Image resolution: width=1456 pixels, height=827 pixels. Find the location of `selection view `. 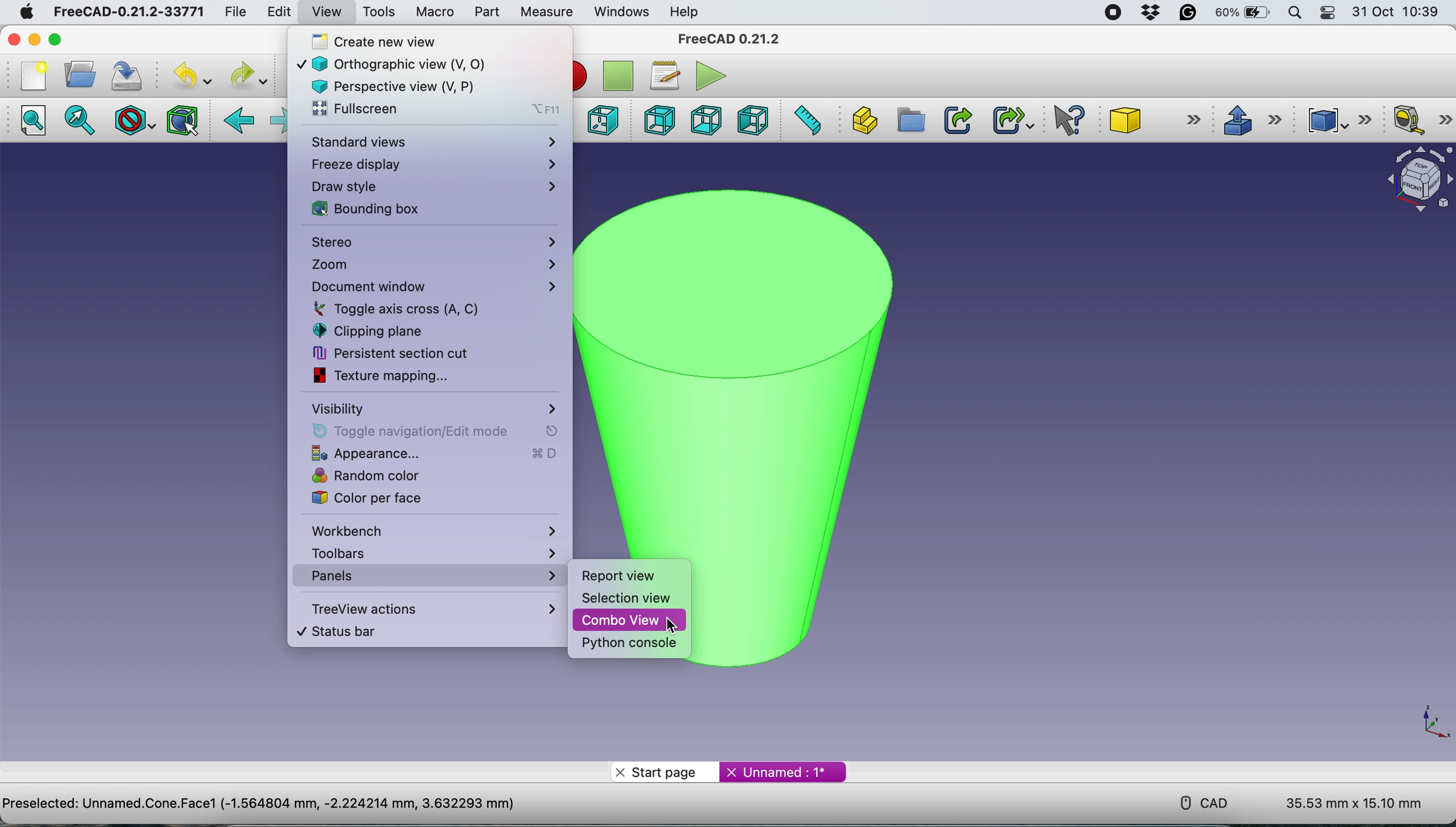

selection view  is located at coordinates (627, 598).